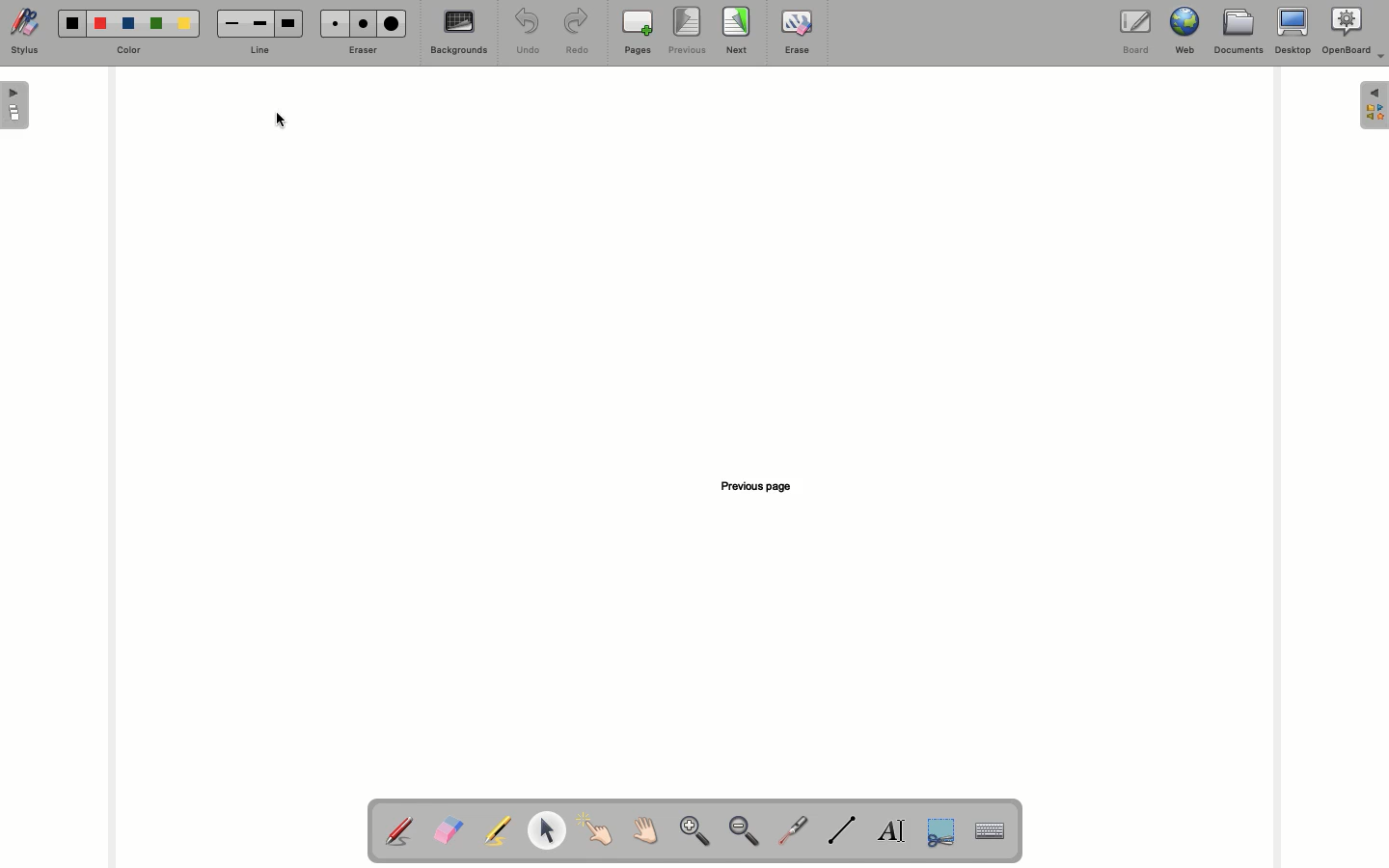 The width and height of the screenshot is (1389, 868). I want to click on Previous page, so click(763, 484).